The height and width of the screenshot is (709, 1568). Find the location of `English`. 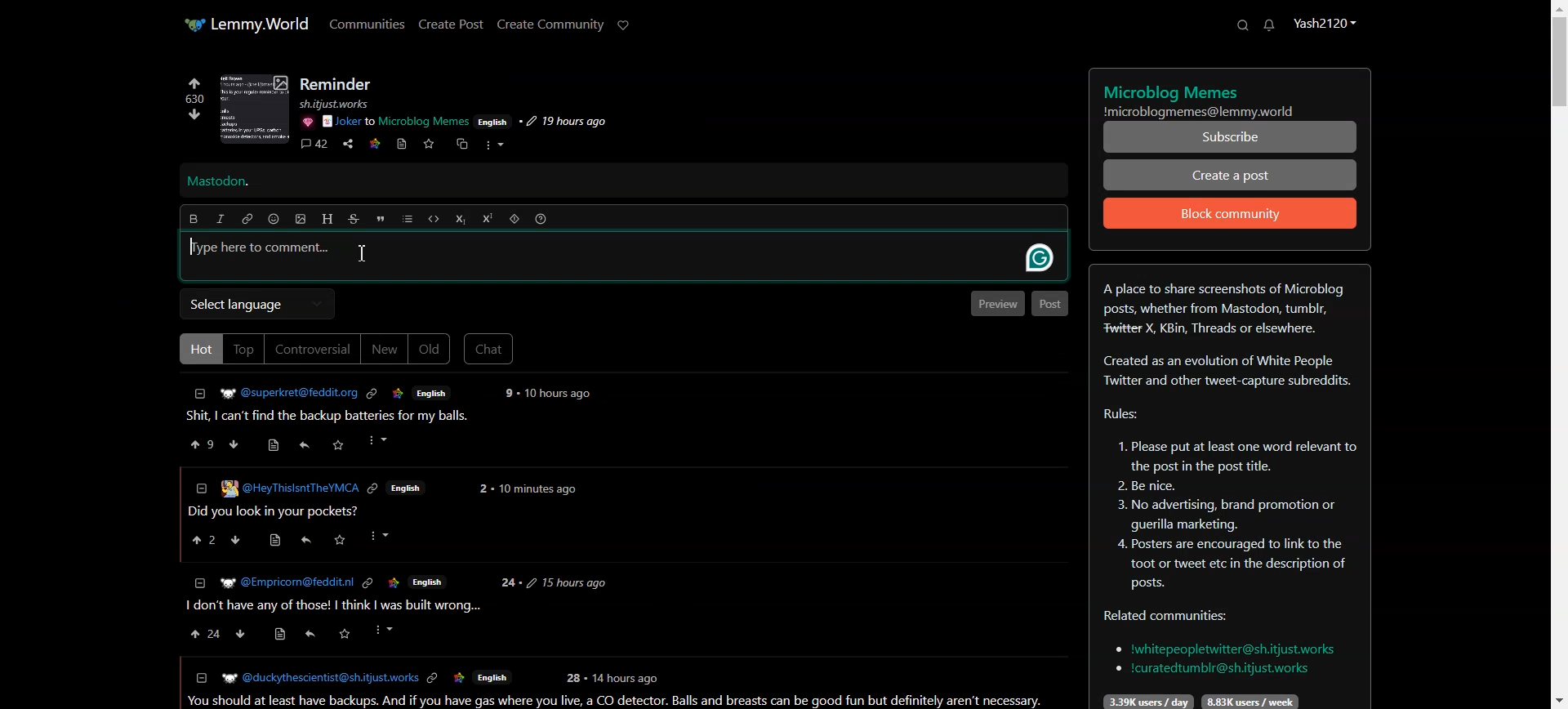

English is located at coordinates (408, 488).